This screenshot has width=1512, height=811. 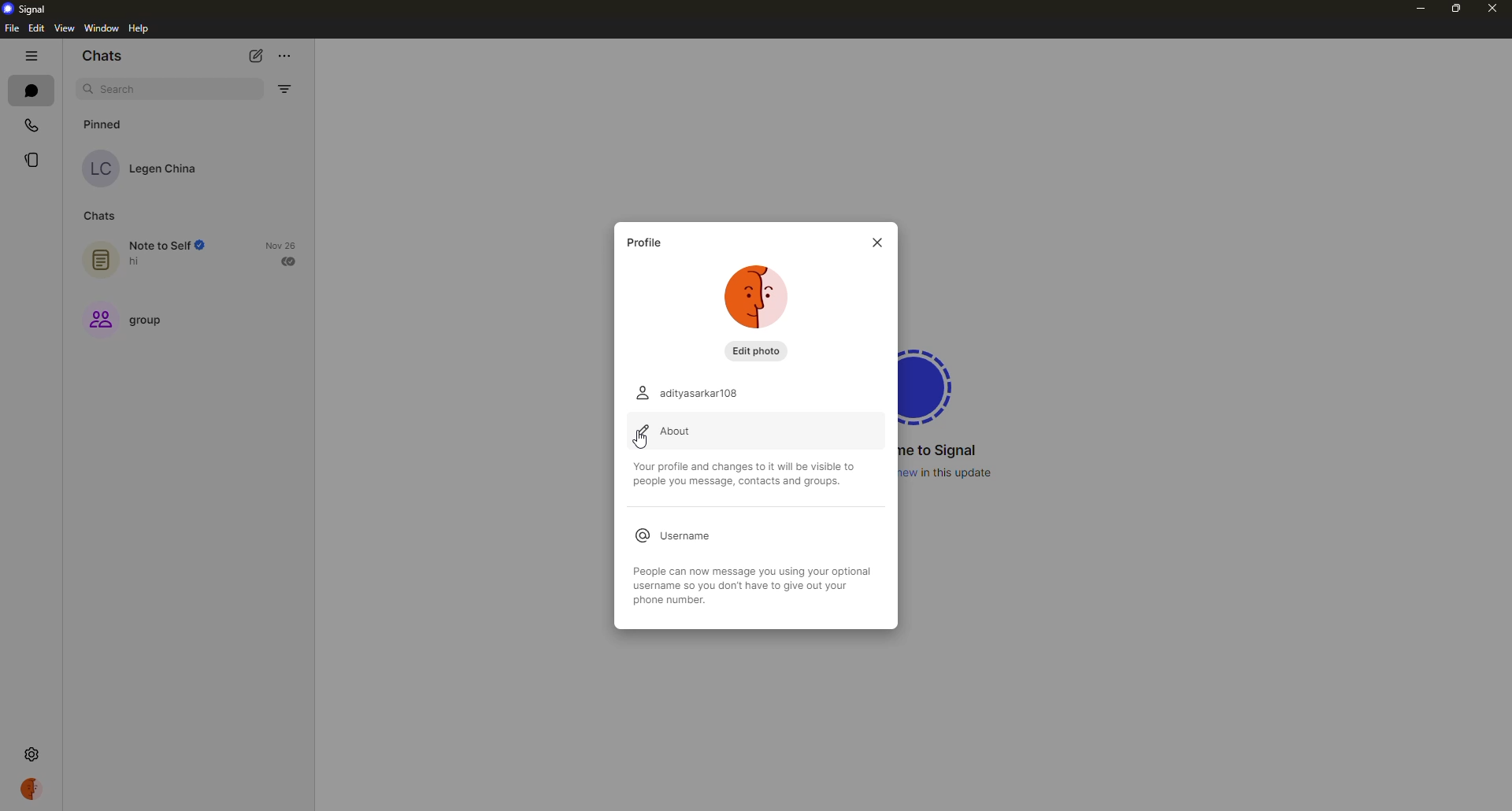 I want to click on filter, so click(x=283, y=89).